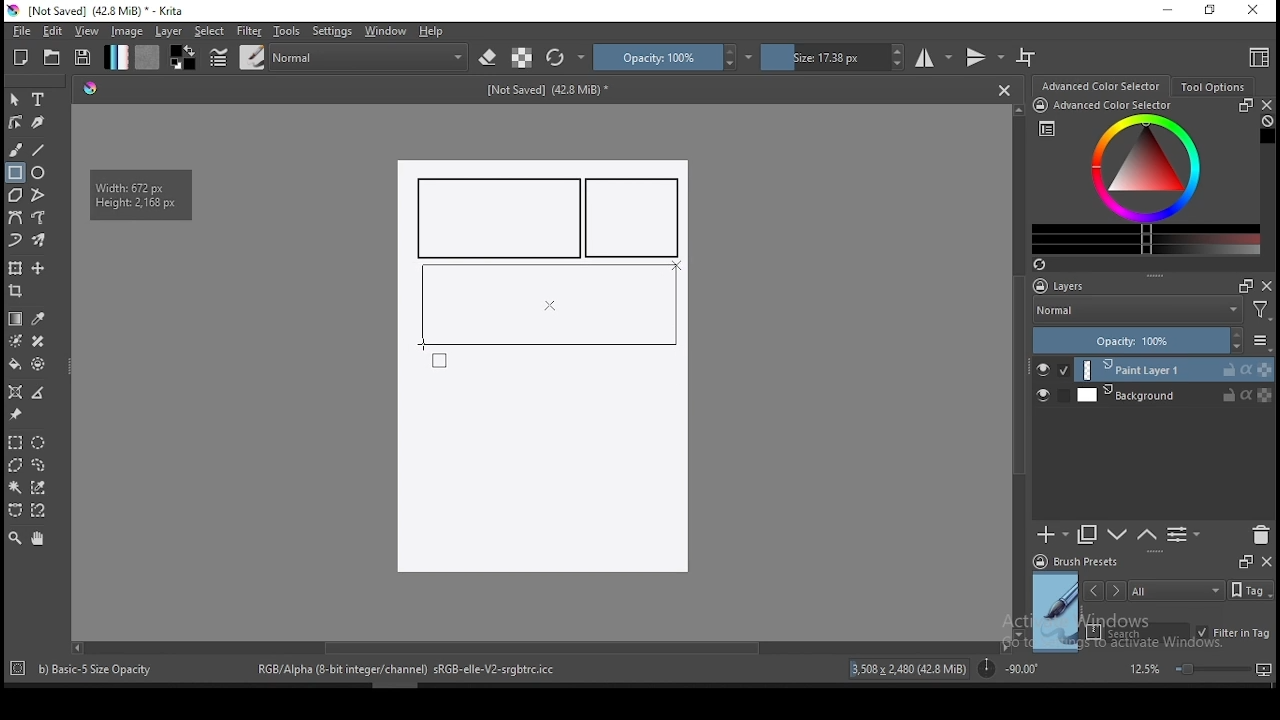  What do you see at coordinates (985, 55) in the screenshot?
I see `` at bounding box center [985, 55].